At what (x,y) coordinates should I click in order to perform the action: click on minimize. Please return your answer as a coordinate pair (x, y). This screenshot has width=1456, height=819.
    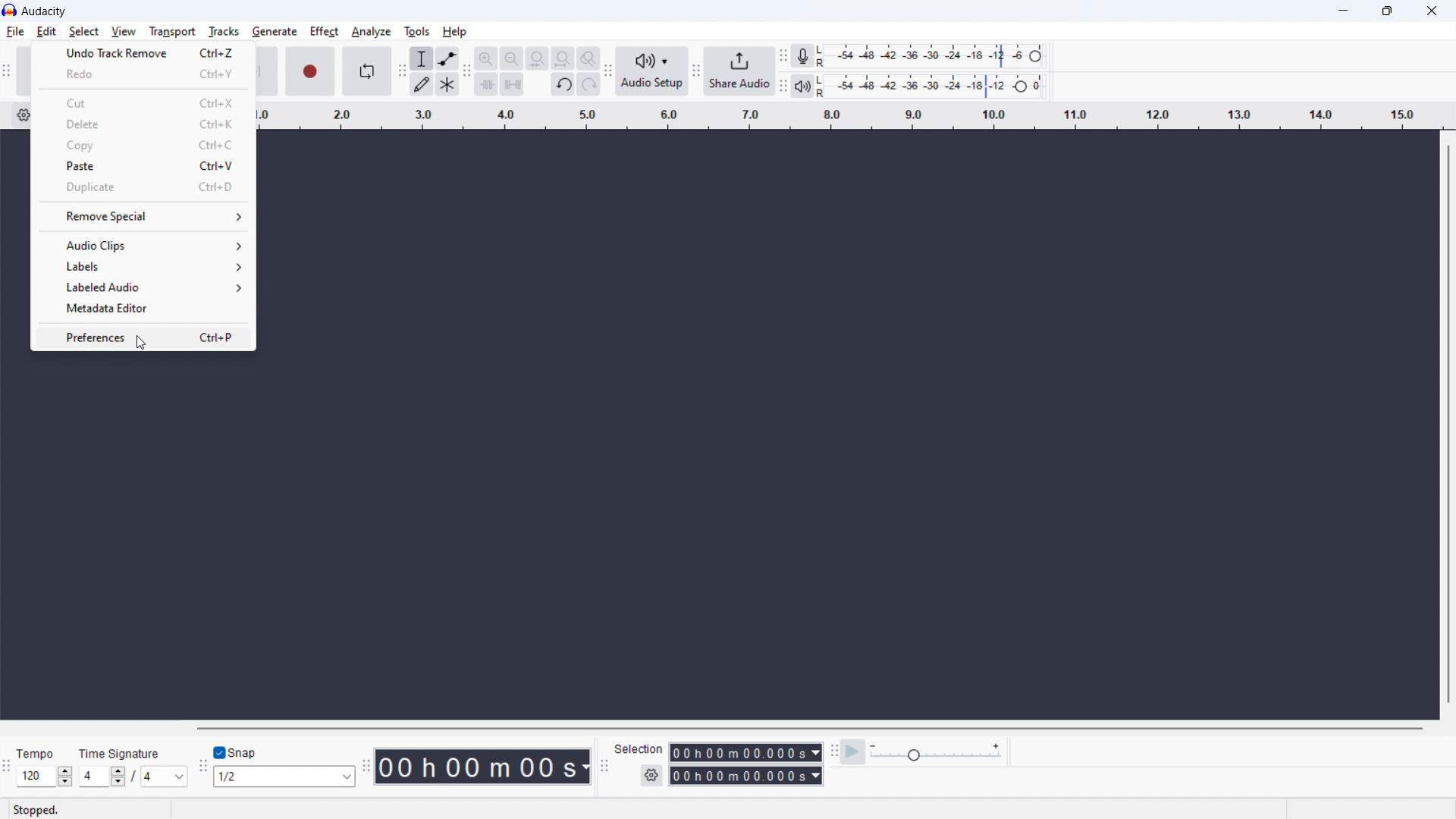
    Looking at the image, I should click on (1341, 11).